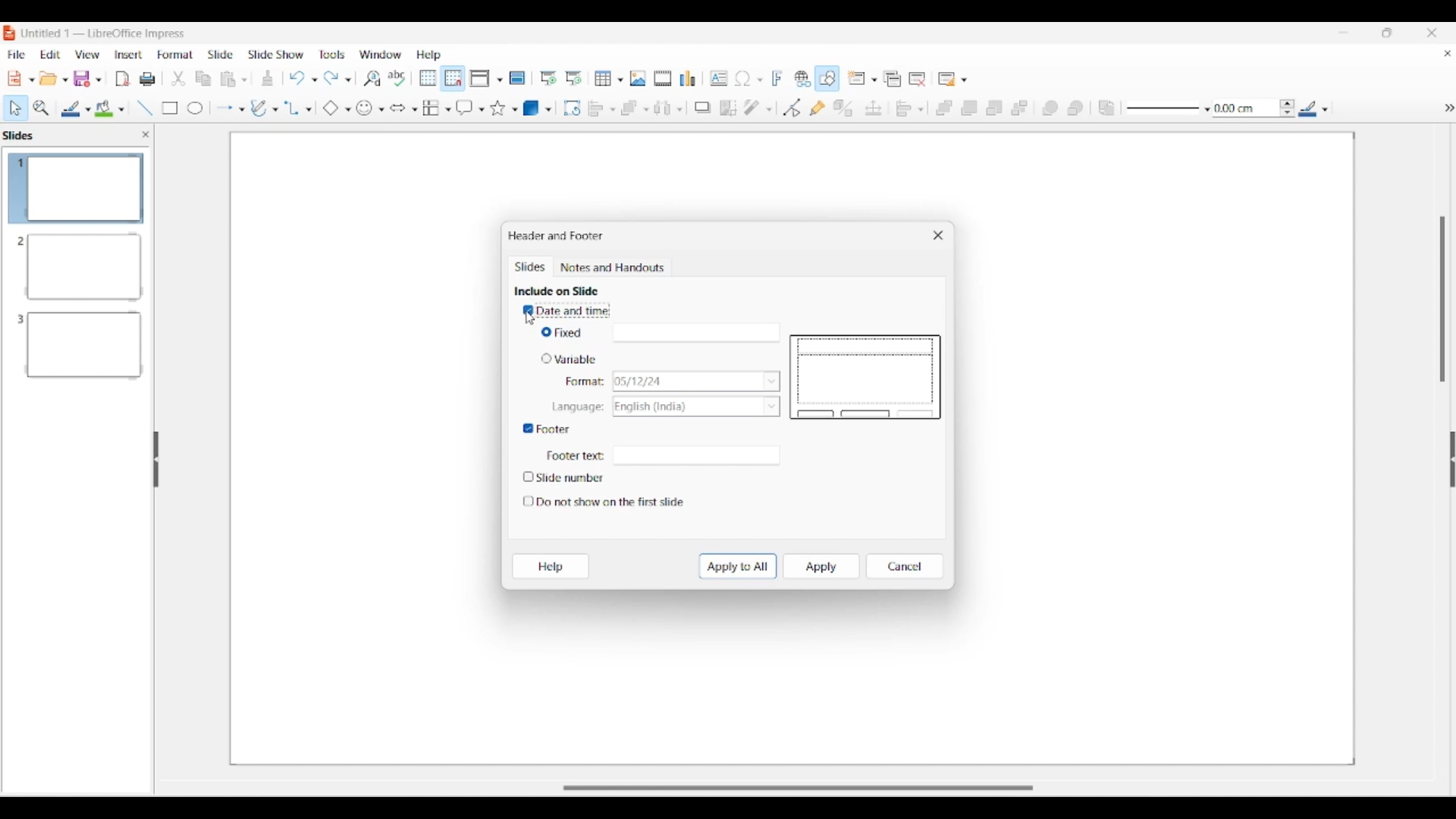  I want to click on Rectangle, so click(165, 106).